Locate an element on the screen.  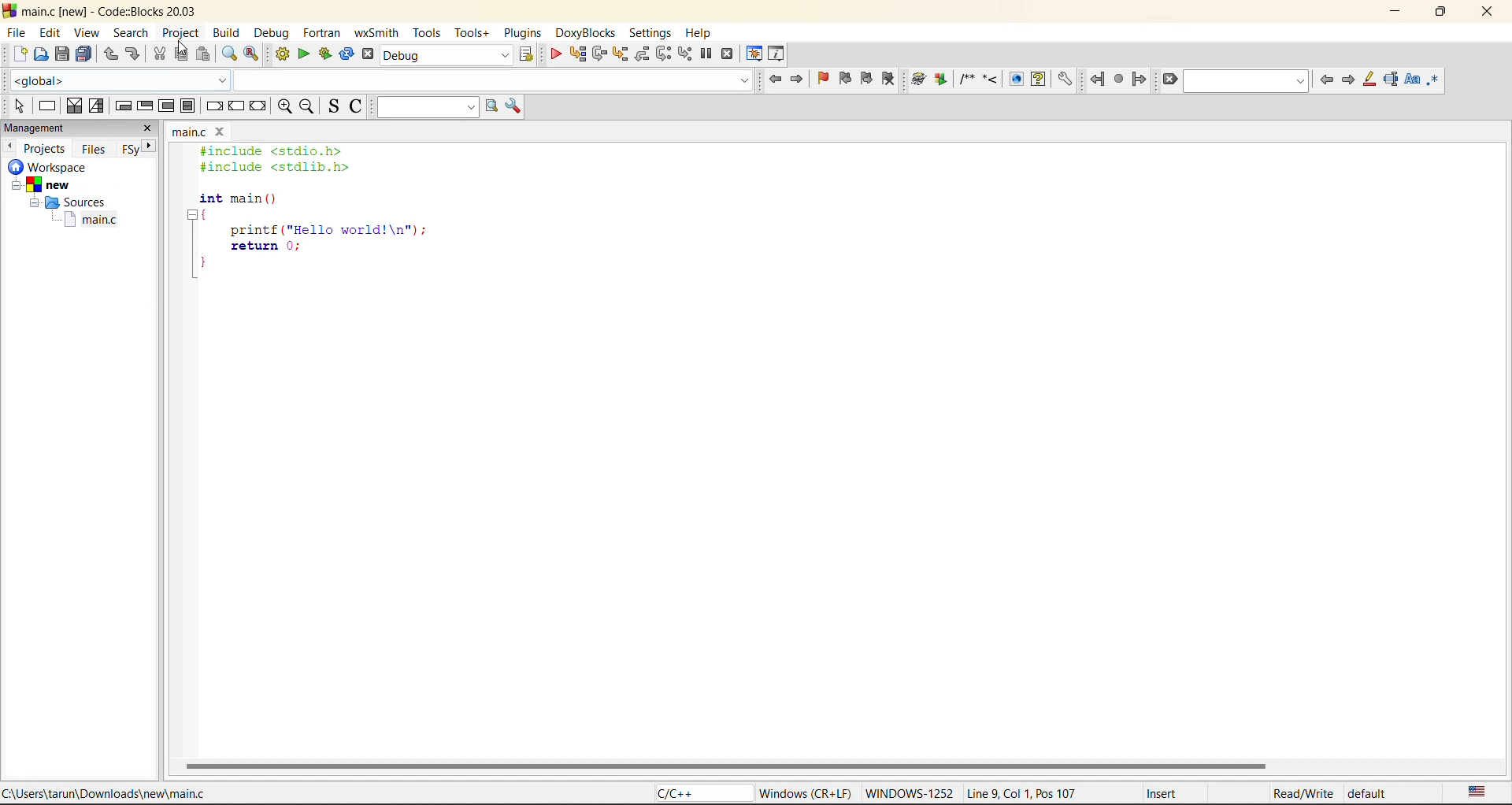
toggle bookmark is located at coordinates (825, 78).